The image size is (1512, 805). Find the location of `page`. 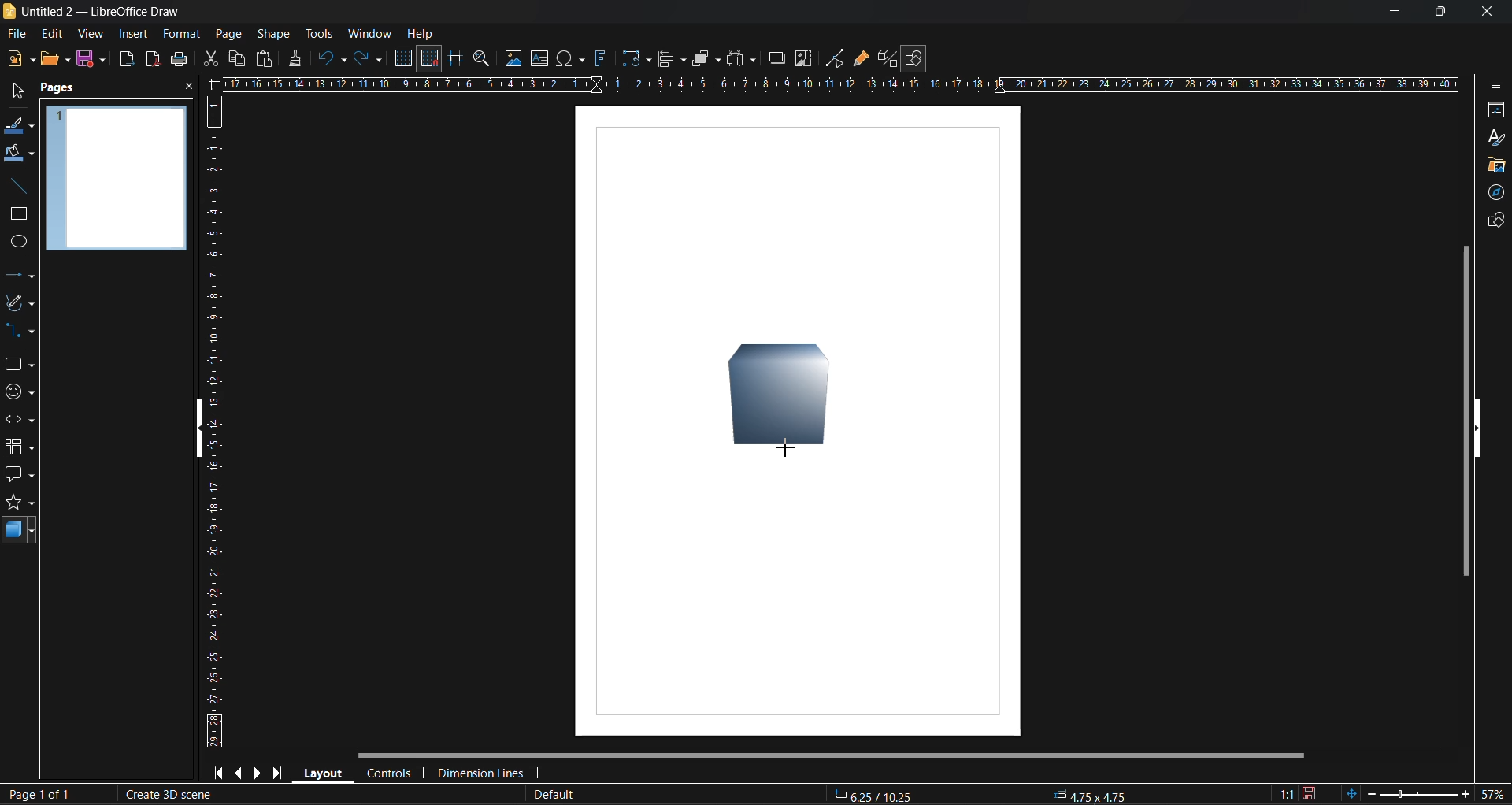

page is located at coordinates (228, 33).